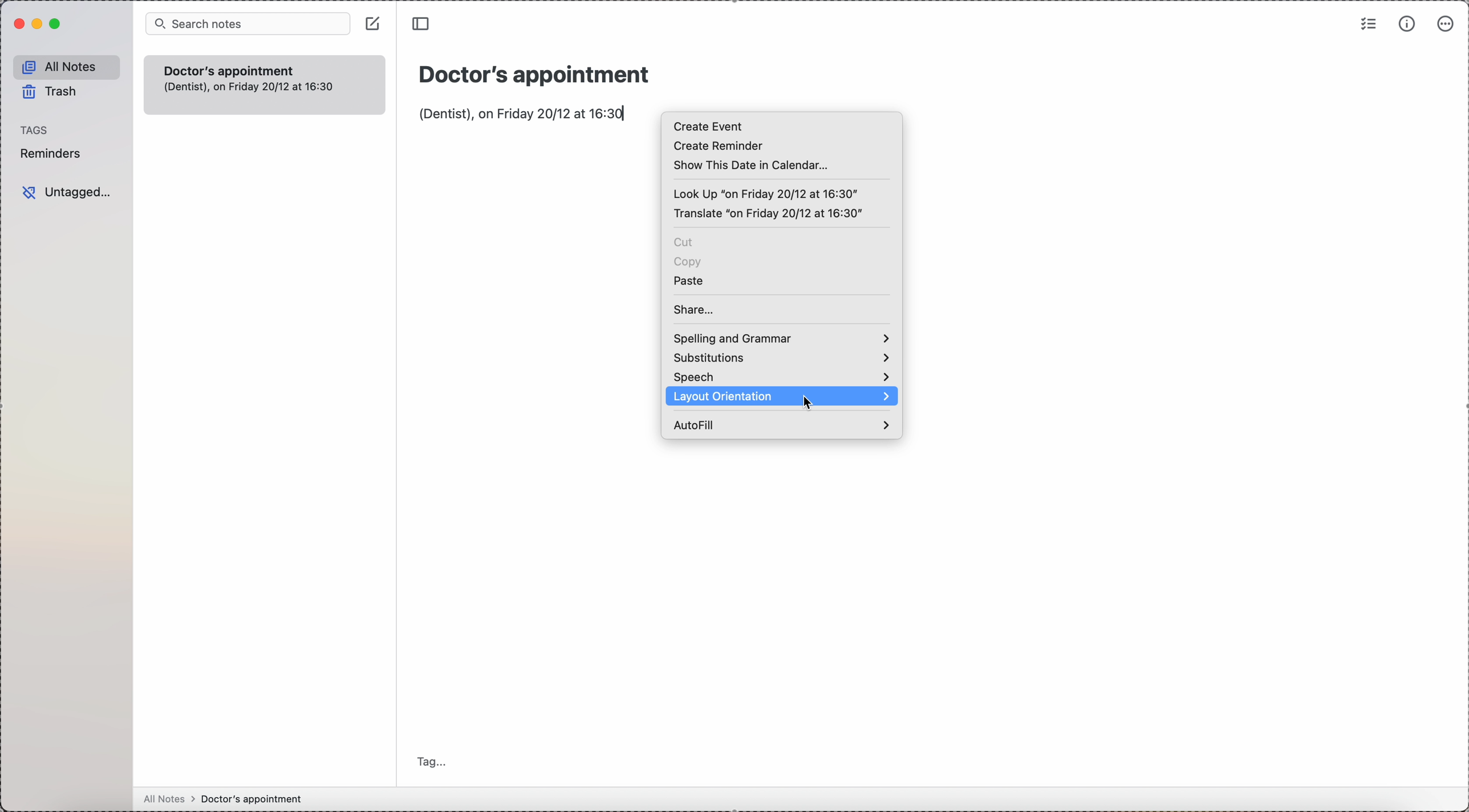 The height and width of the screenshot is (812, 1469). I want to click on create note, so click(372, 23).